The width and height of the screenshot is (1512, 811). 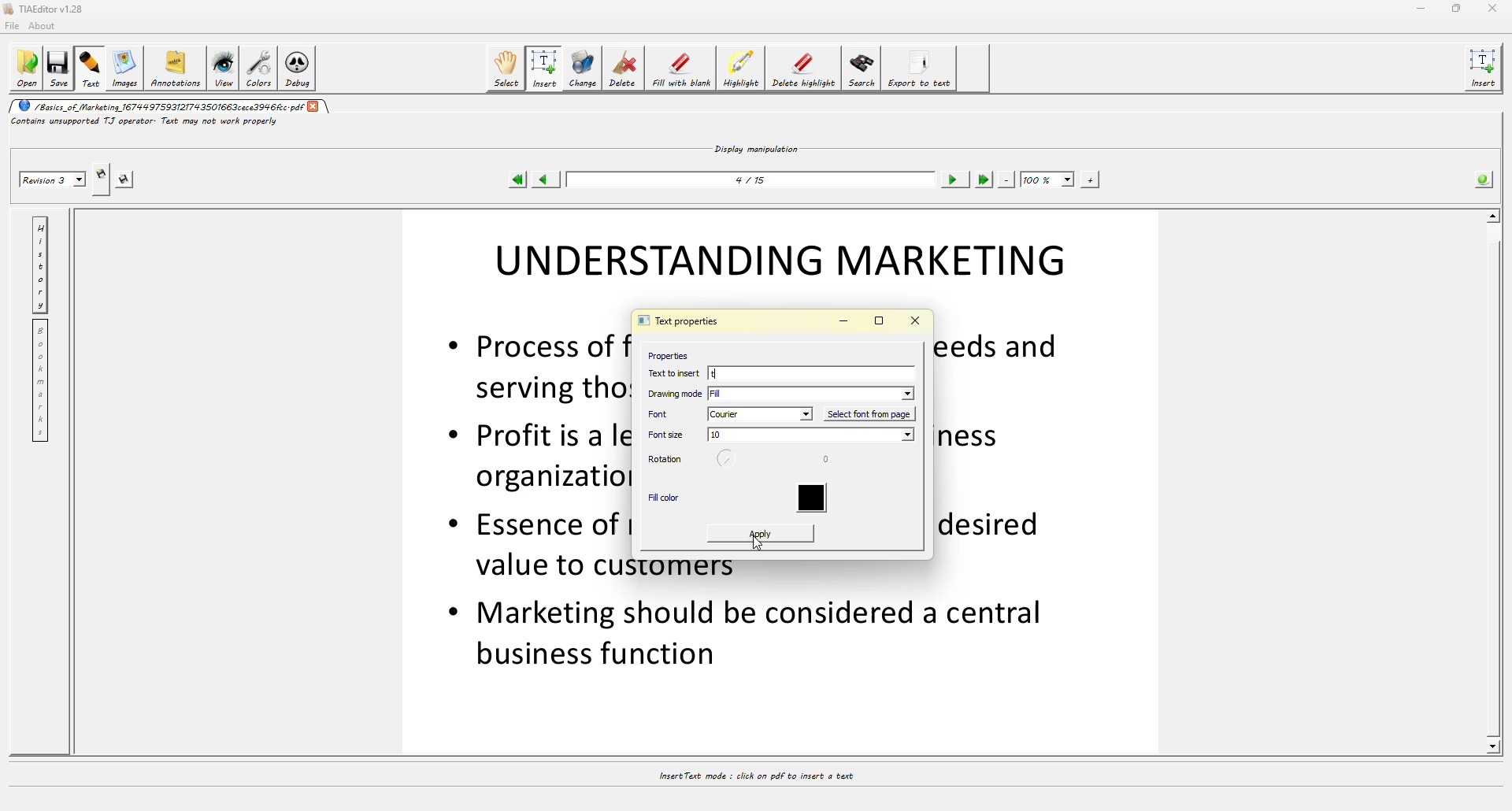 What do you see at coordinates (741, 69) in the screenshot?
I see `highlight` at bounding box center [741, 69].